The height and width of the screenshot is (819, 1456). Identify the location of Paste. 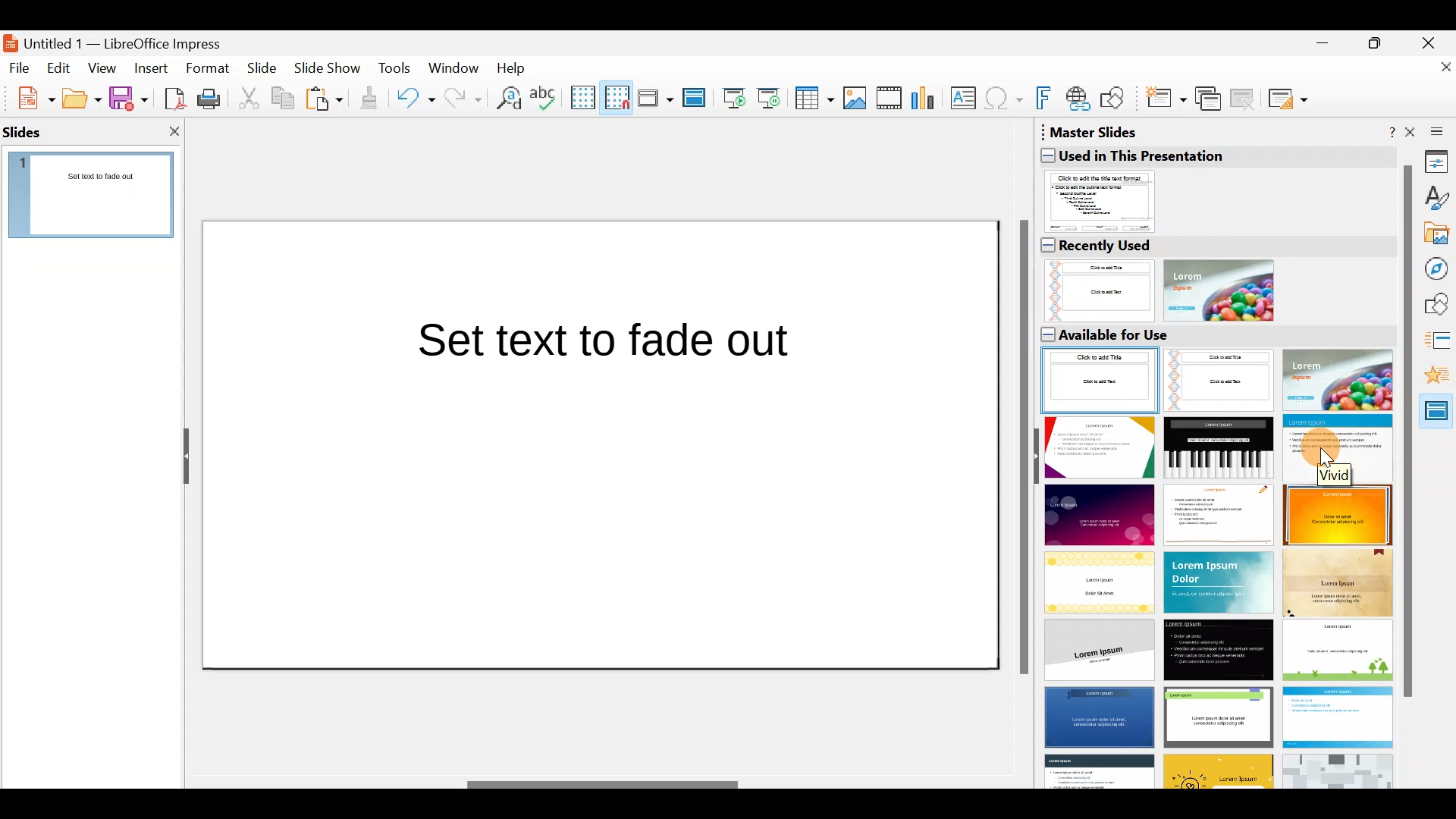
(326, 101).